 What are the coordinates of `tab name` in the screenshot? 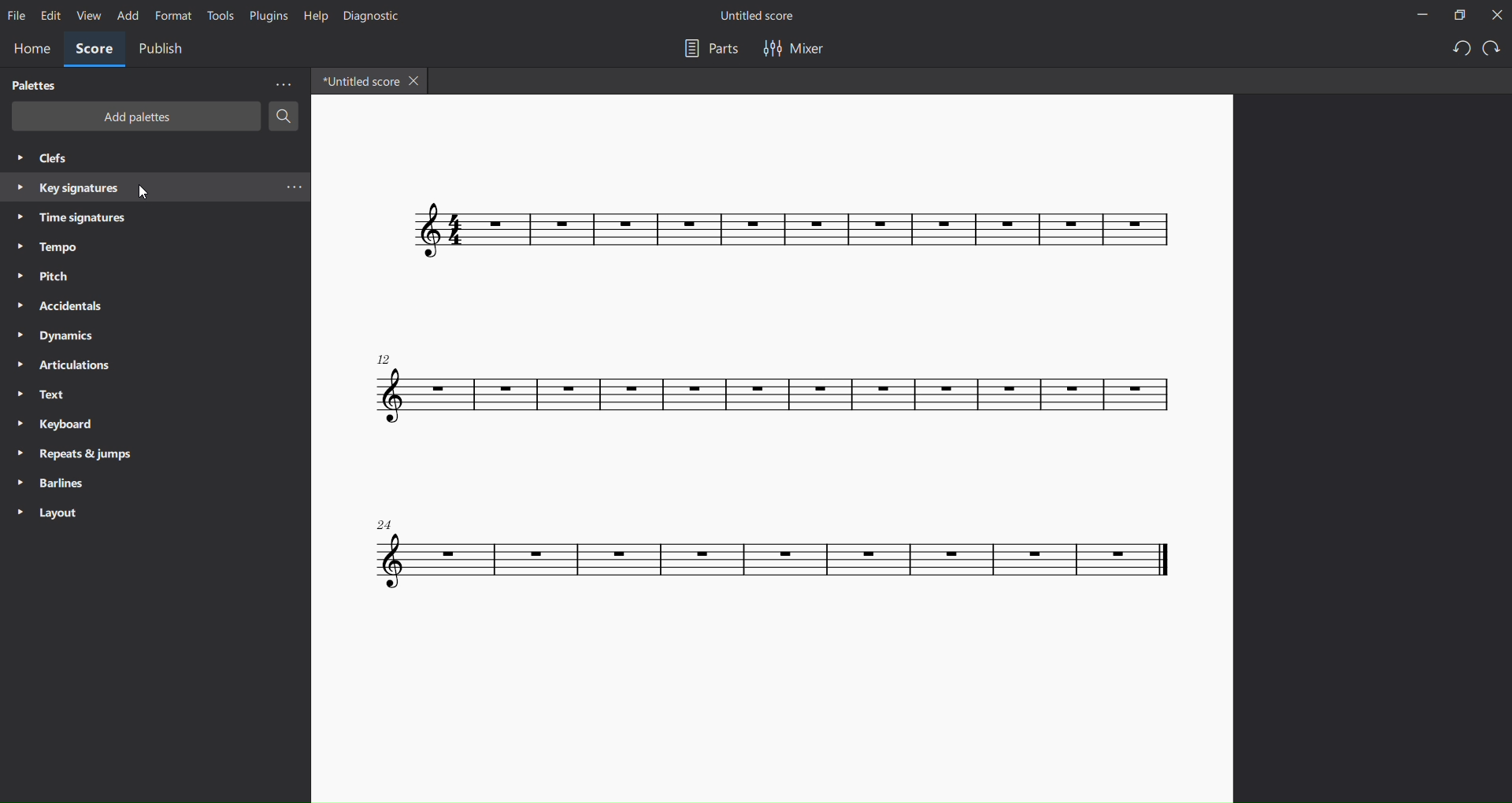 It's located at (360, 82).